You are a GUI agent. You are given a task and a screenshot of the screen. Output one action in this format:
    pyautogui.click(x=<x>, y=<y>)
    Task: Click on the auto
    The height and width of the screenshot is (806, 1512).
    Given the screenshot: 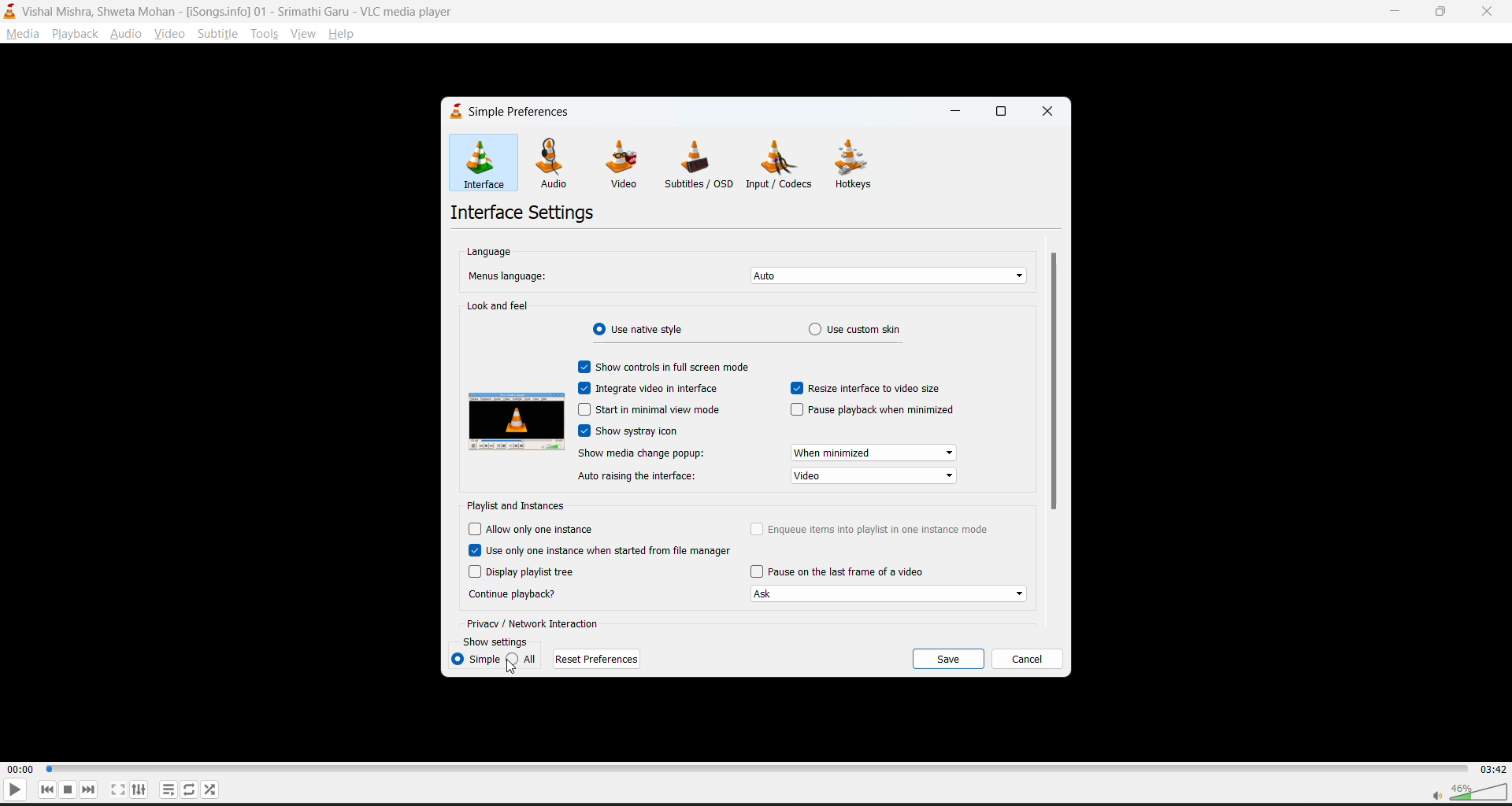 What is the action you would take?
    pyautogui.click(x=884, y=276)
    